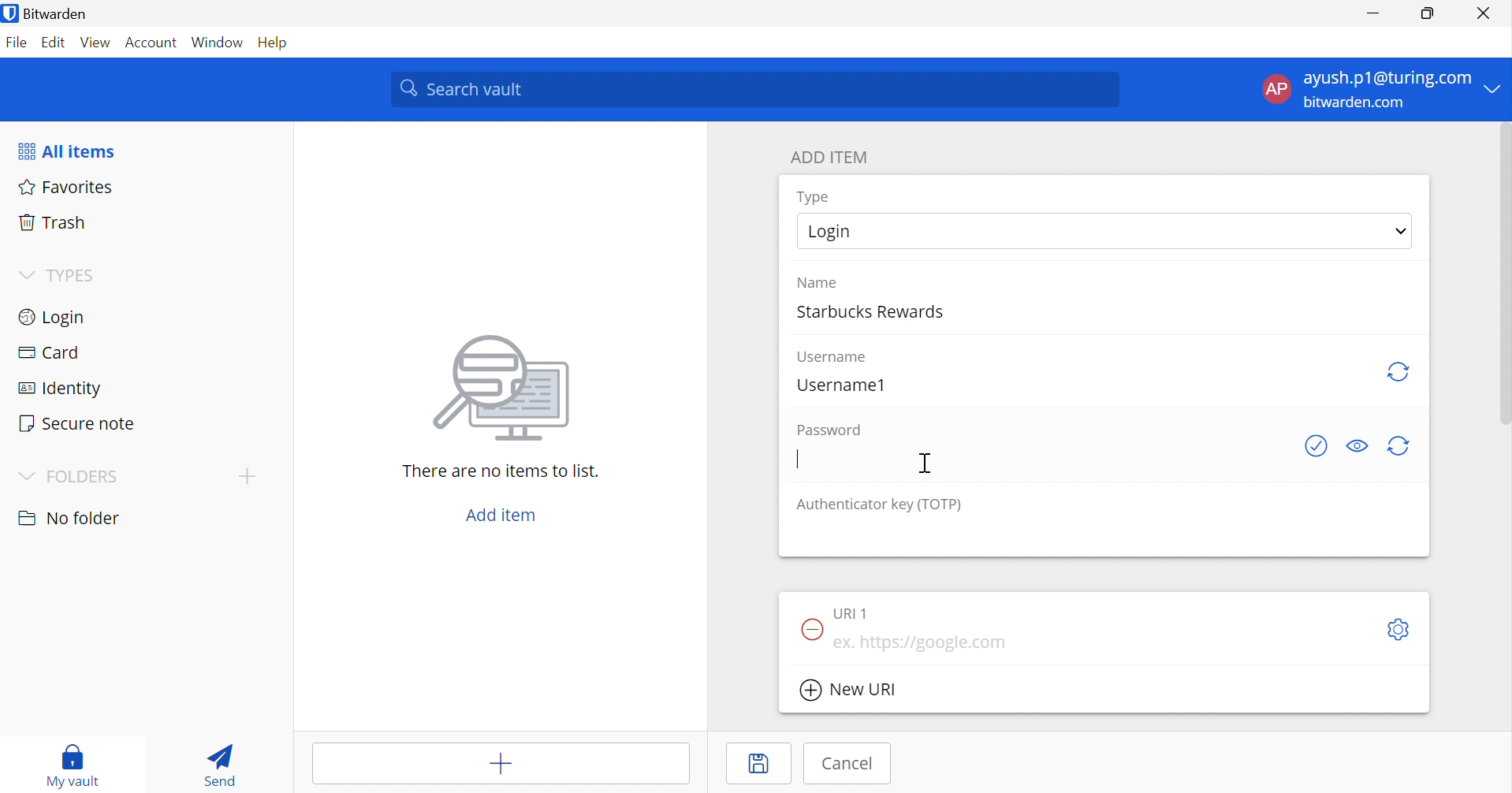 This screenshot has height=793, width=1512. Describe the element at coordinates (763, 765) in the screenshot. I see `Save` at that location.